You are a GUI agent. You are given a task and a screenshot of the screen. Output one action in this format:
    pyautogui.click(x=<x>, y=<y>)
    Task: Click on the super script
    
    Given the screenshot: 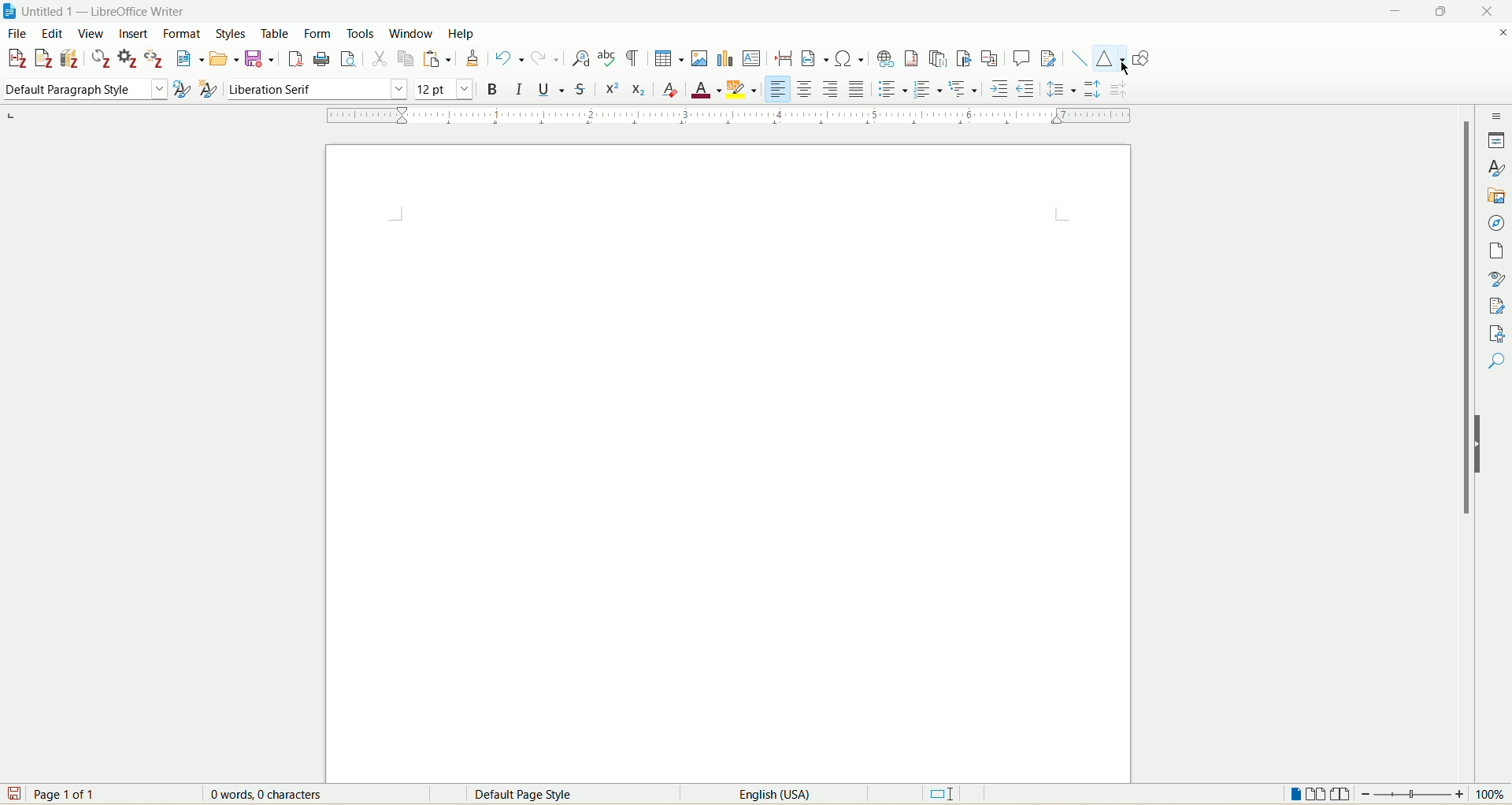 What is the action you would take?
    pyautogui.click(x=610, y=88)
    